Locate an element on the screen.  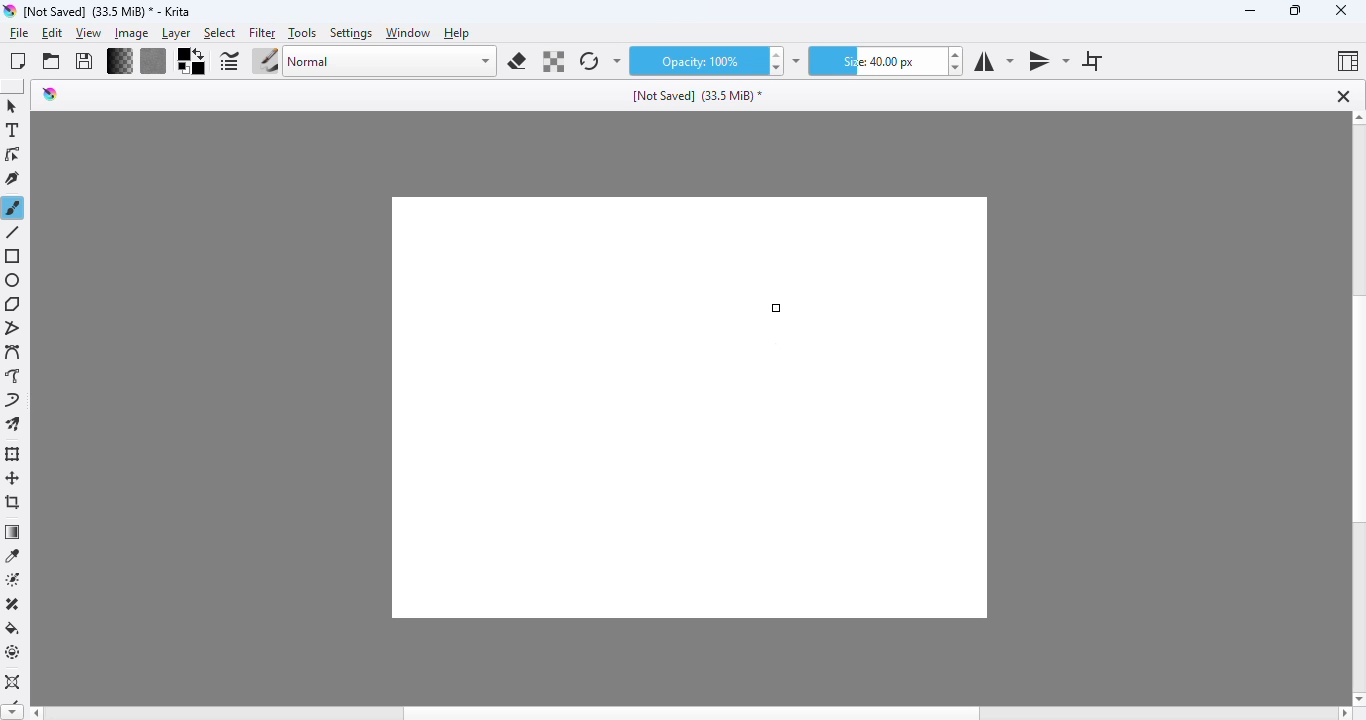
assistant tool is located at coordinates (13, 681).